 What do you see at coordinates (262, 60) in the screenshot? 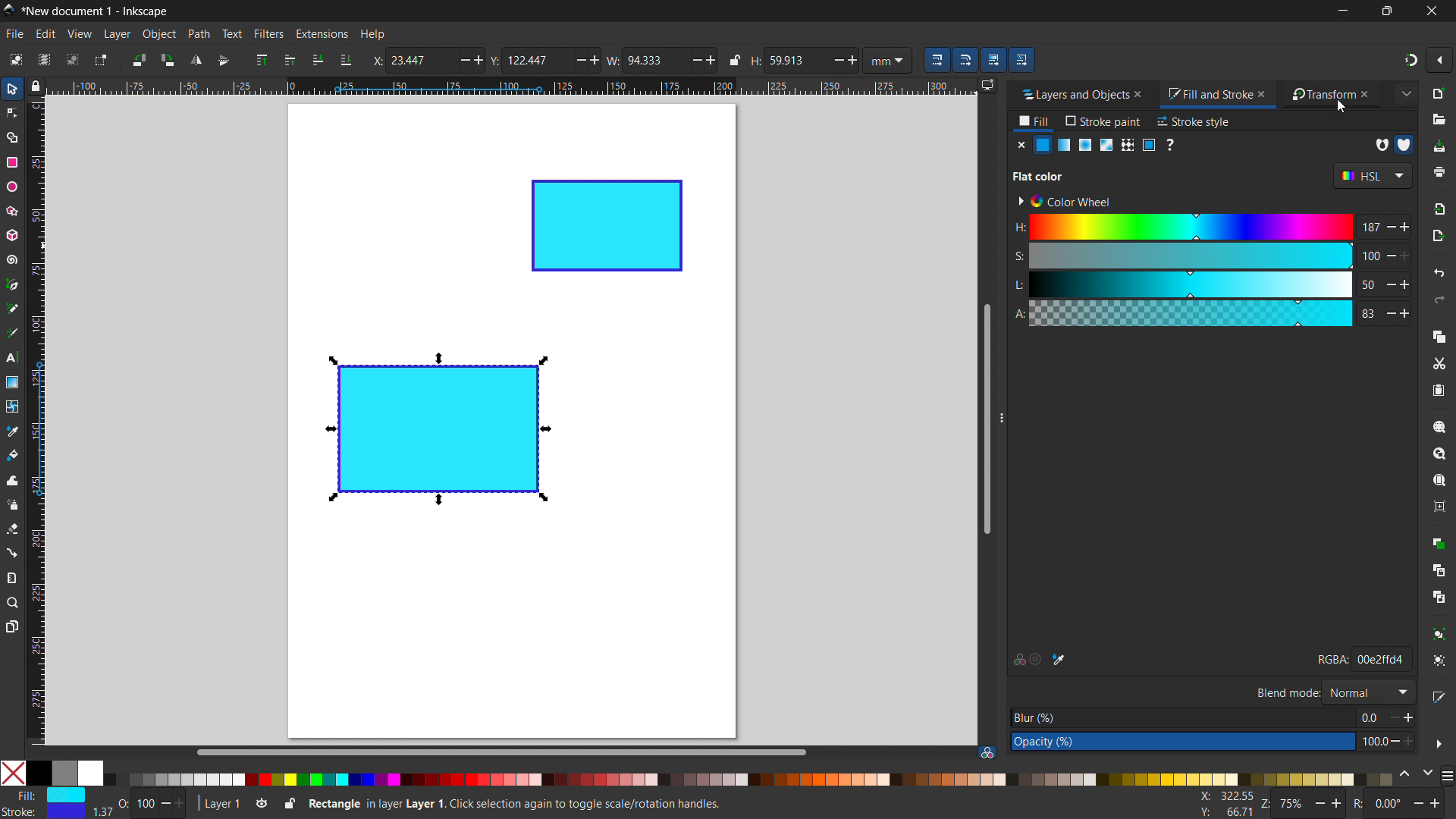
I see `raise to top` at bounding box center [262, 60].